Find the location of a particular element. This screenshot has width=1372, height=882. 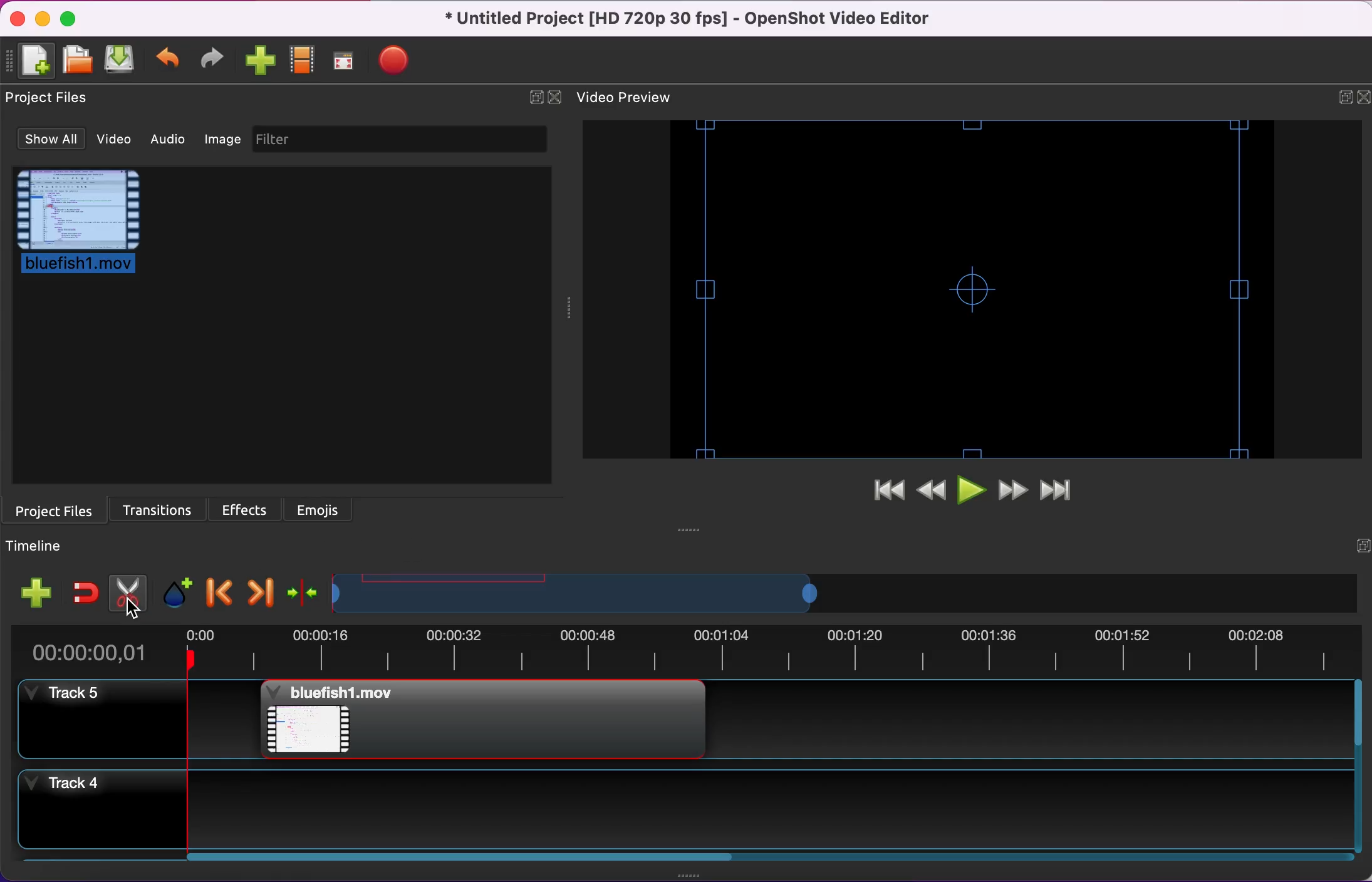

save project is located at coordinates (120, 61).